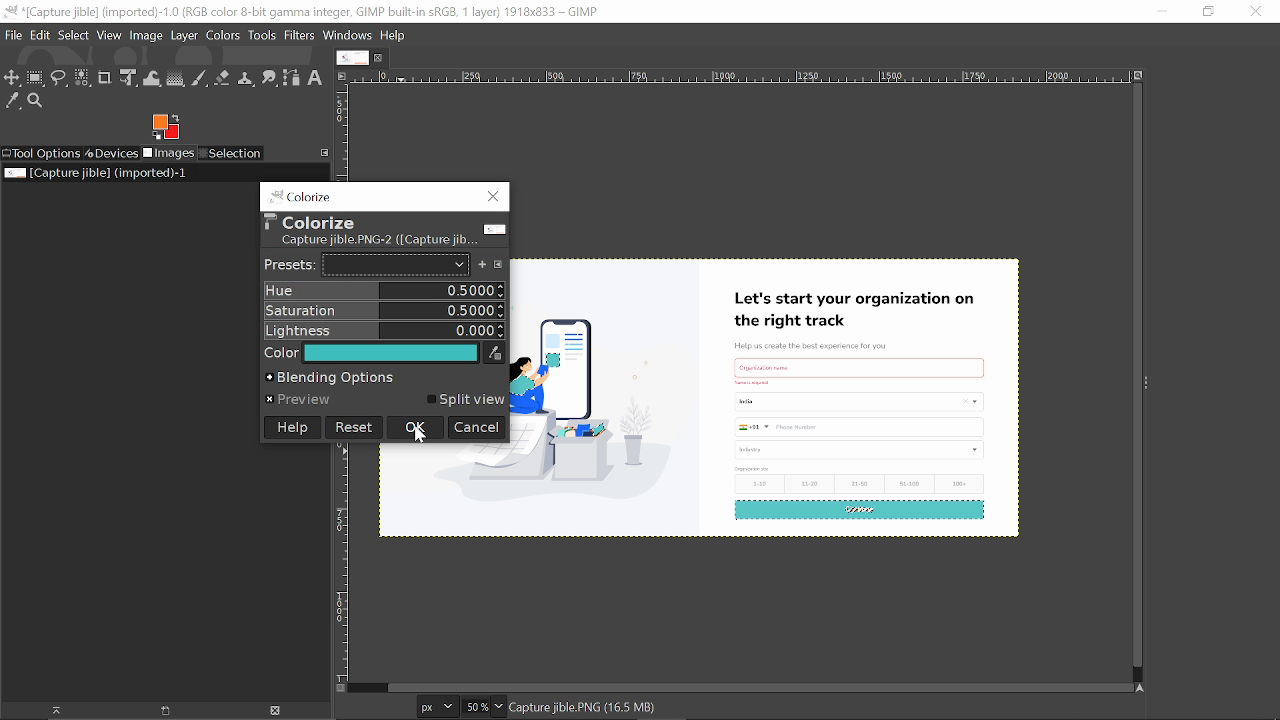  I want to click on Close, so click(491, 196).